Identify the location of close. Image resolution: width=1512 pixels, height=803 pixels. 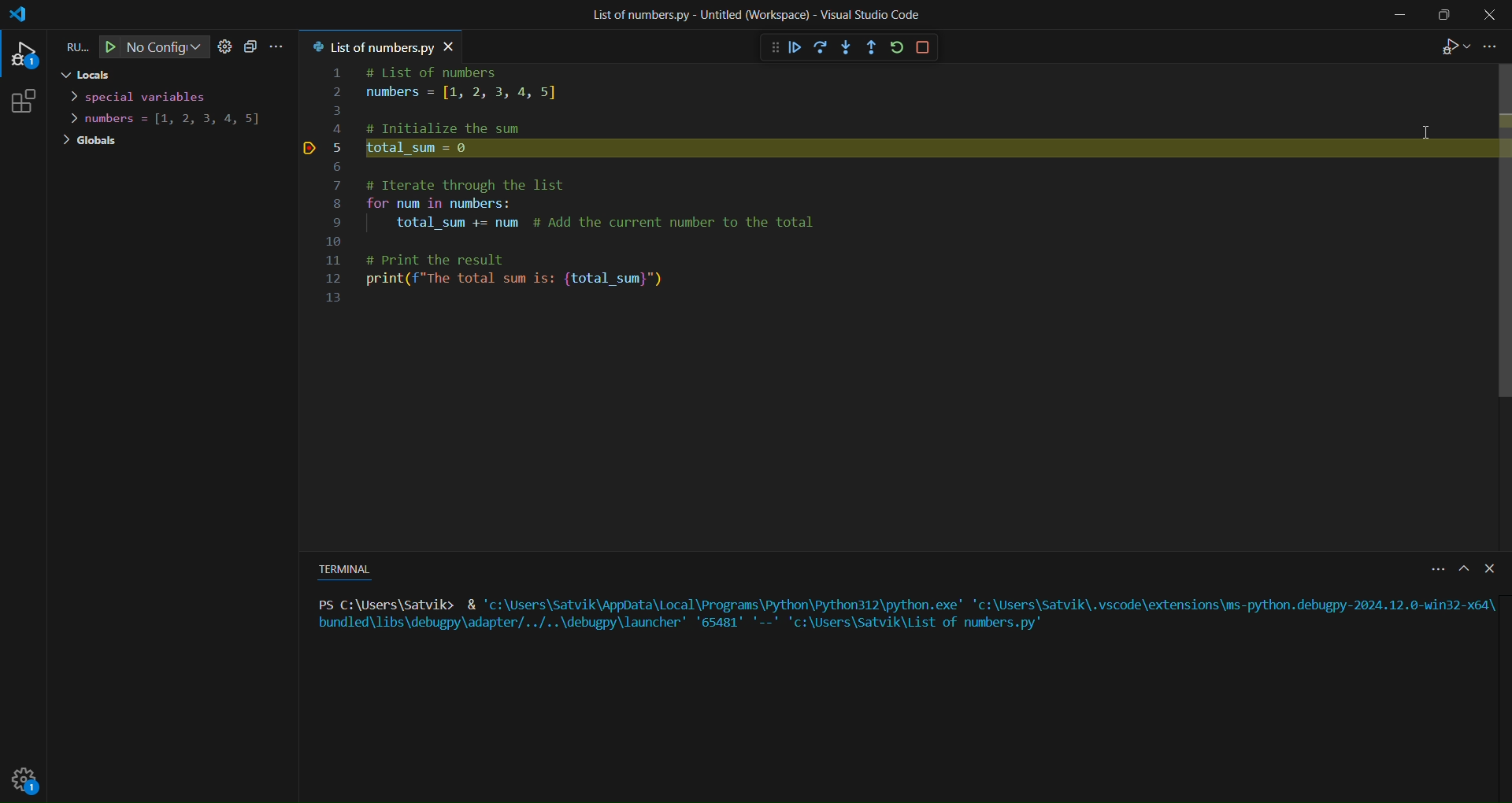
(1492, 14).